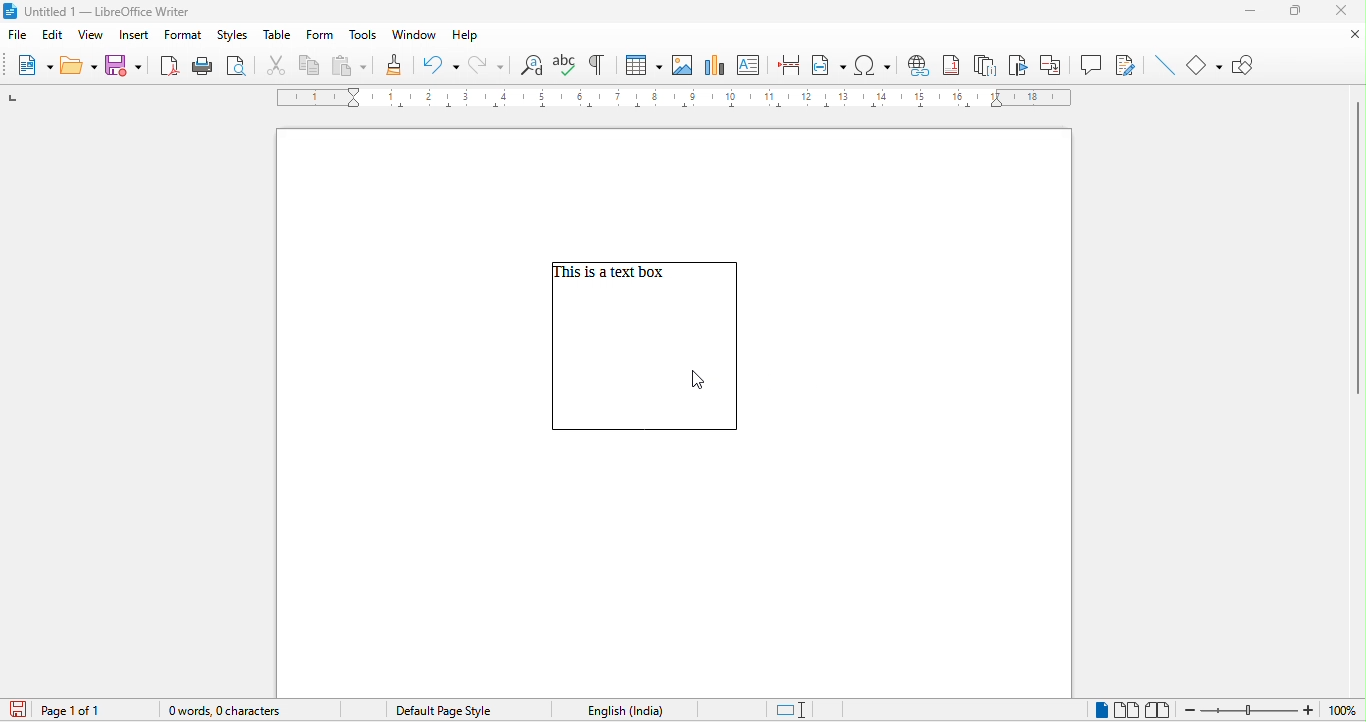 The height and width of the screenshot is (722, 1366). What do you see at coordinates (621, 710) in the screenshot?
I see `text language` at bounding box center [621, 710].